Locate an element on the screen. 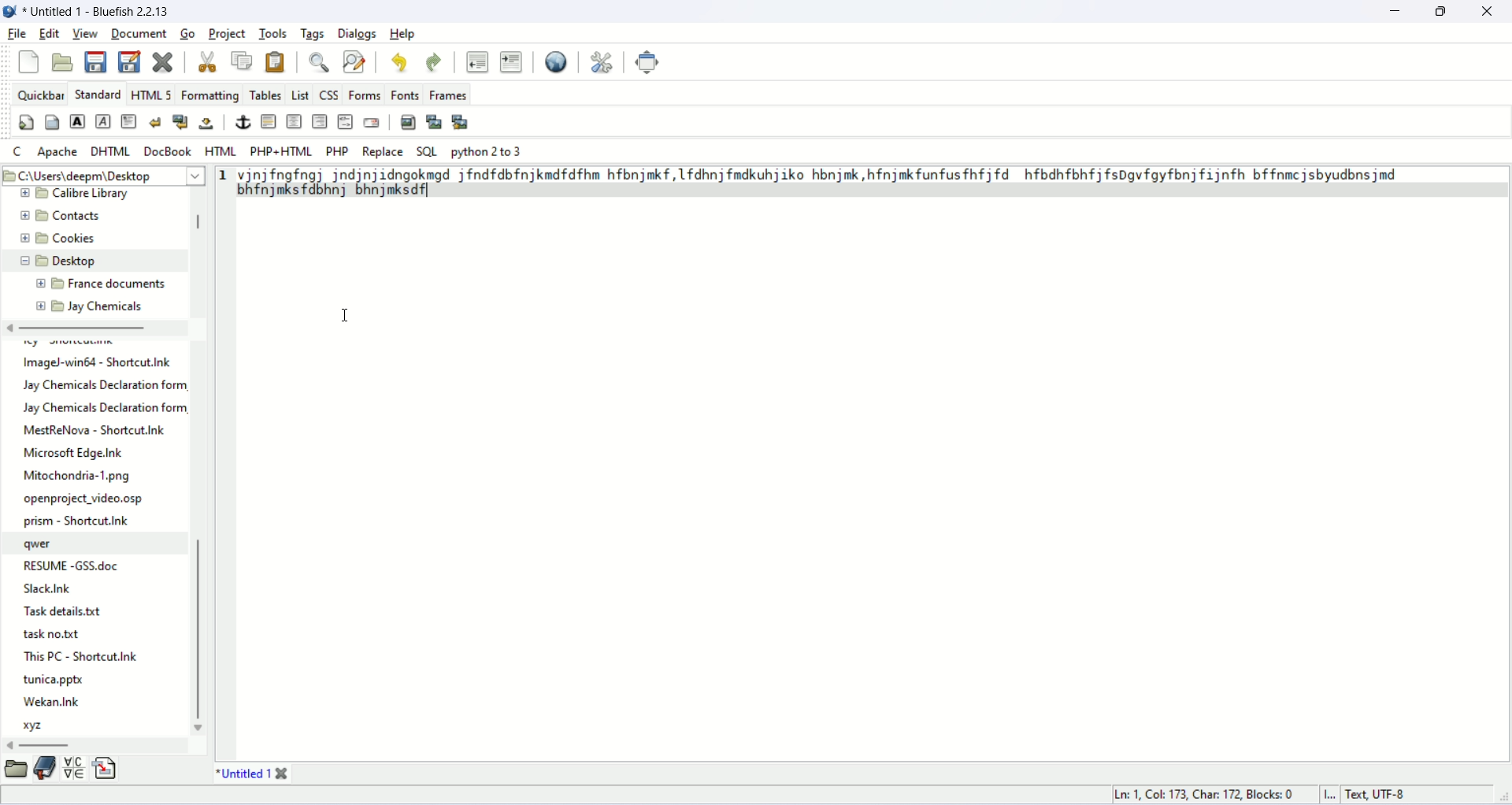 This screenshot has width=1512, height=805. list is located at coordinates (300, 94).